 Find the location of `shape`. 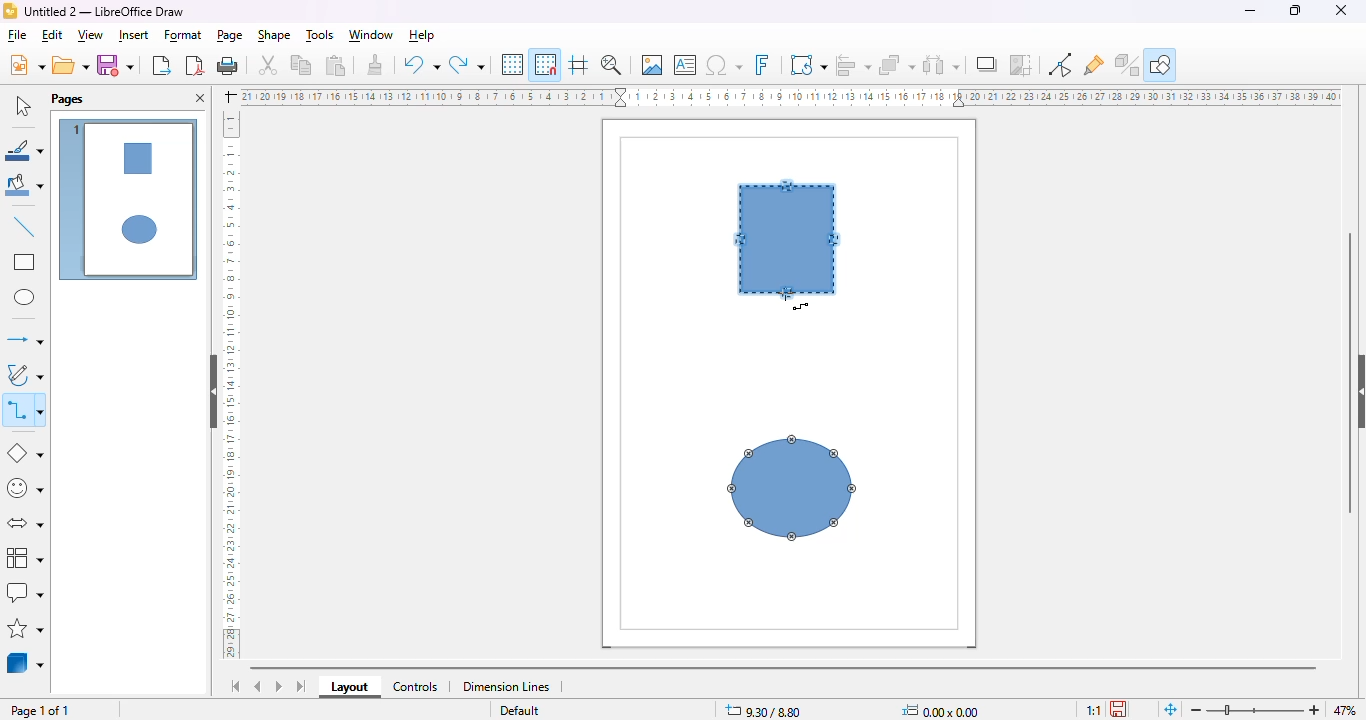

shape is located at coordinates (273, 35).